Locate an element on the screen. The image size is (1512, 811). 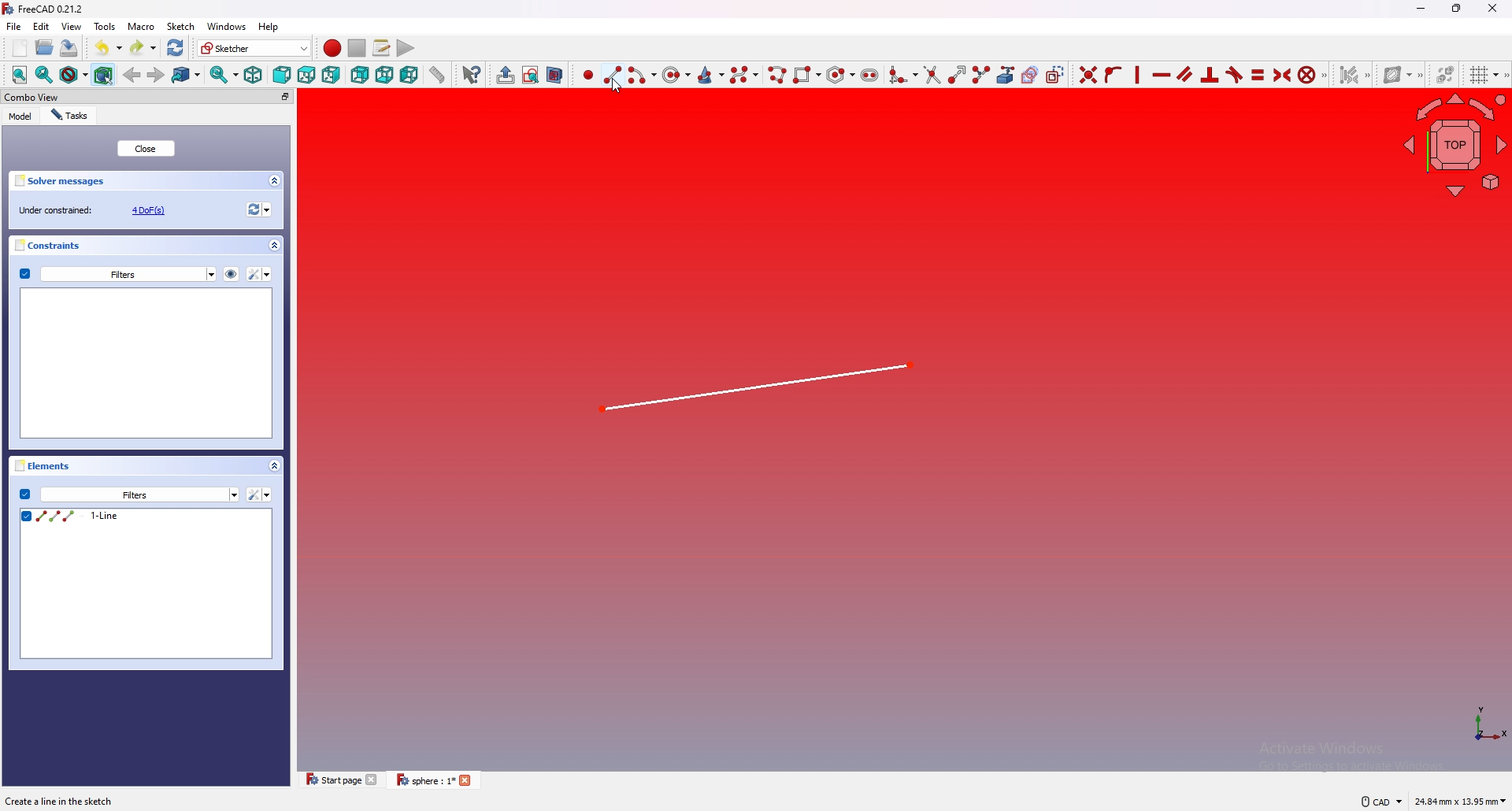
Draw style is located at coordinates (72, 75).